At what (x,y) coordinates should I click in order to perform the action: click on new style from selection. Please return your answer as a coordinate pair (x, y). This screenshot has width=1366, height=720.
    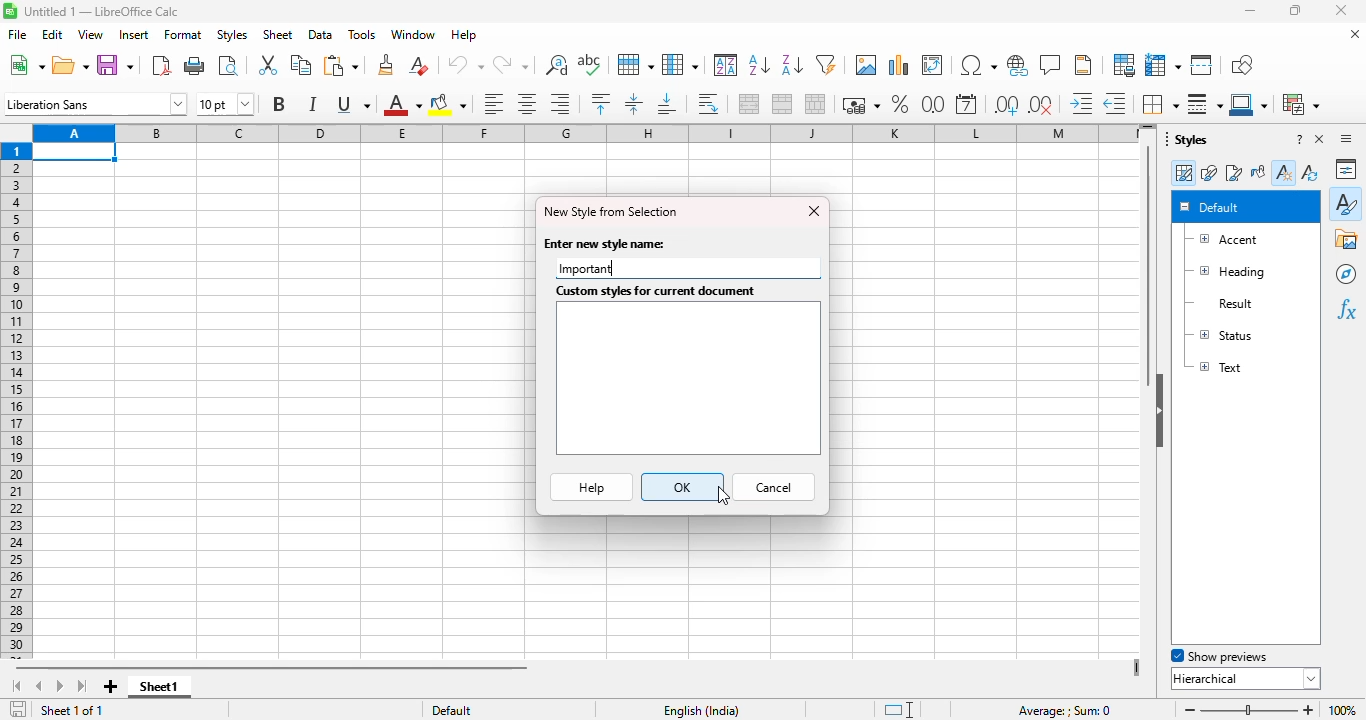
    Looking at the image, I should click on (1283, 171).